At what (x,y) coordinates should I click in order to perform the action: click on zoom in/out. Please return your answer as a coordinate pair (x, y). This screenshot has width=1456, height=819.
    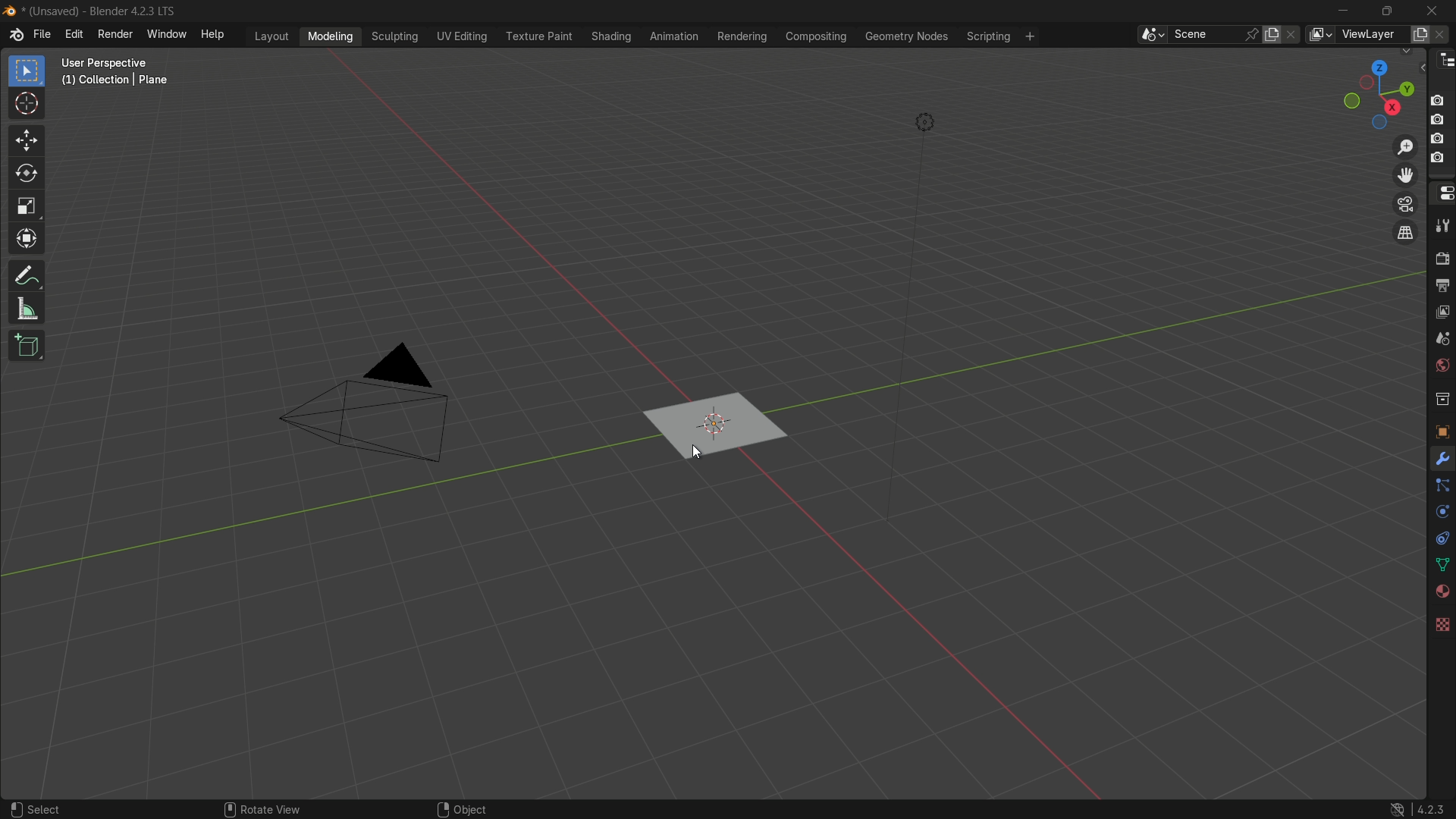
    Looking at the image, I should click on (1404, 147).